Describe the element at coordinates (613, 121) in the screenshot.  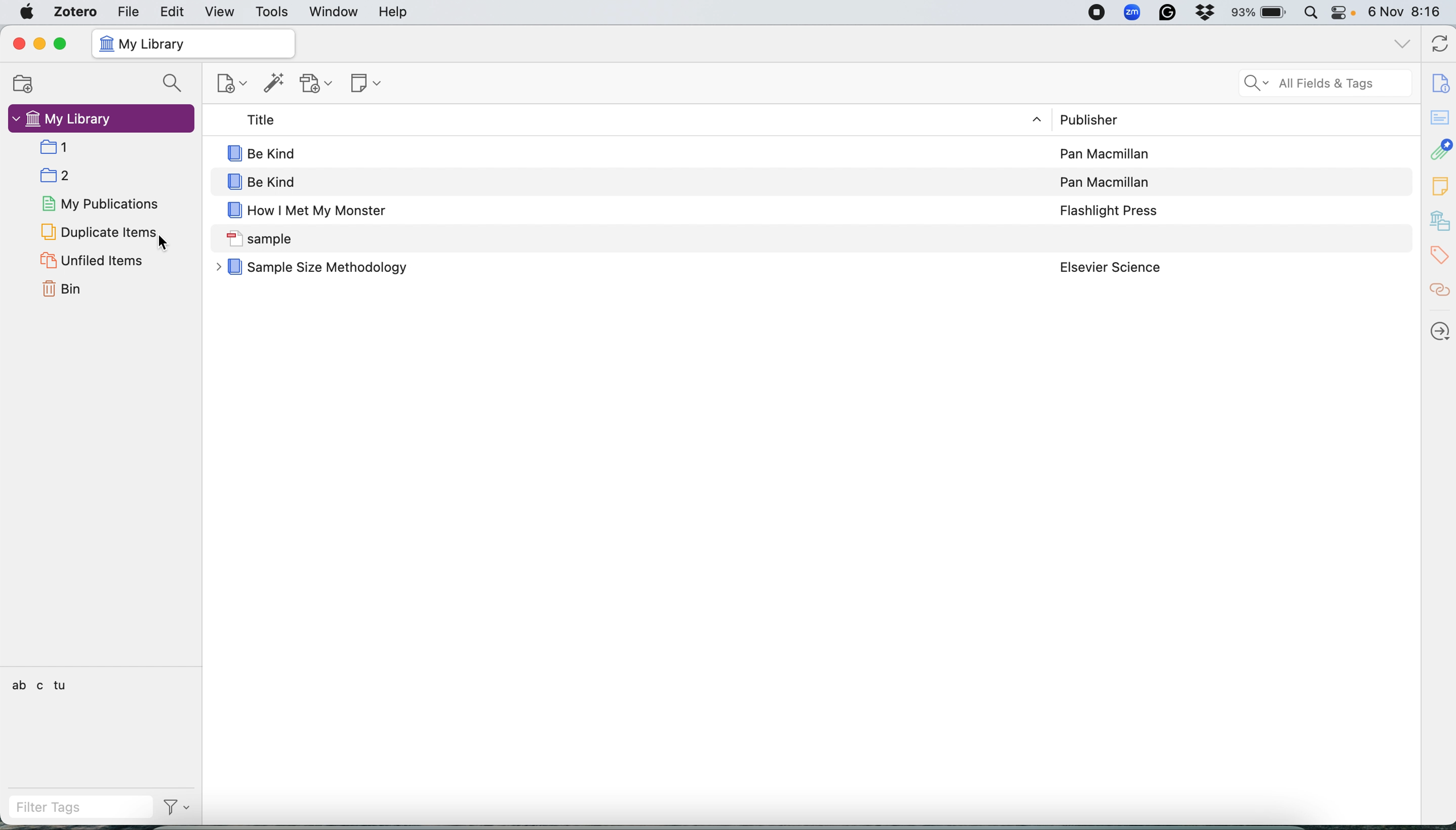
I see `title` at that location.